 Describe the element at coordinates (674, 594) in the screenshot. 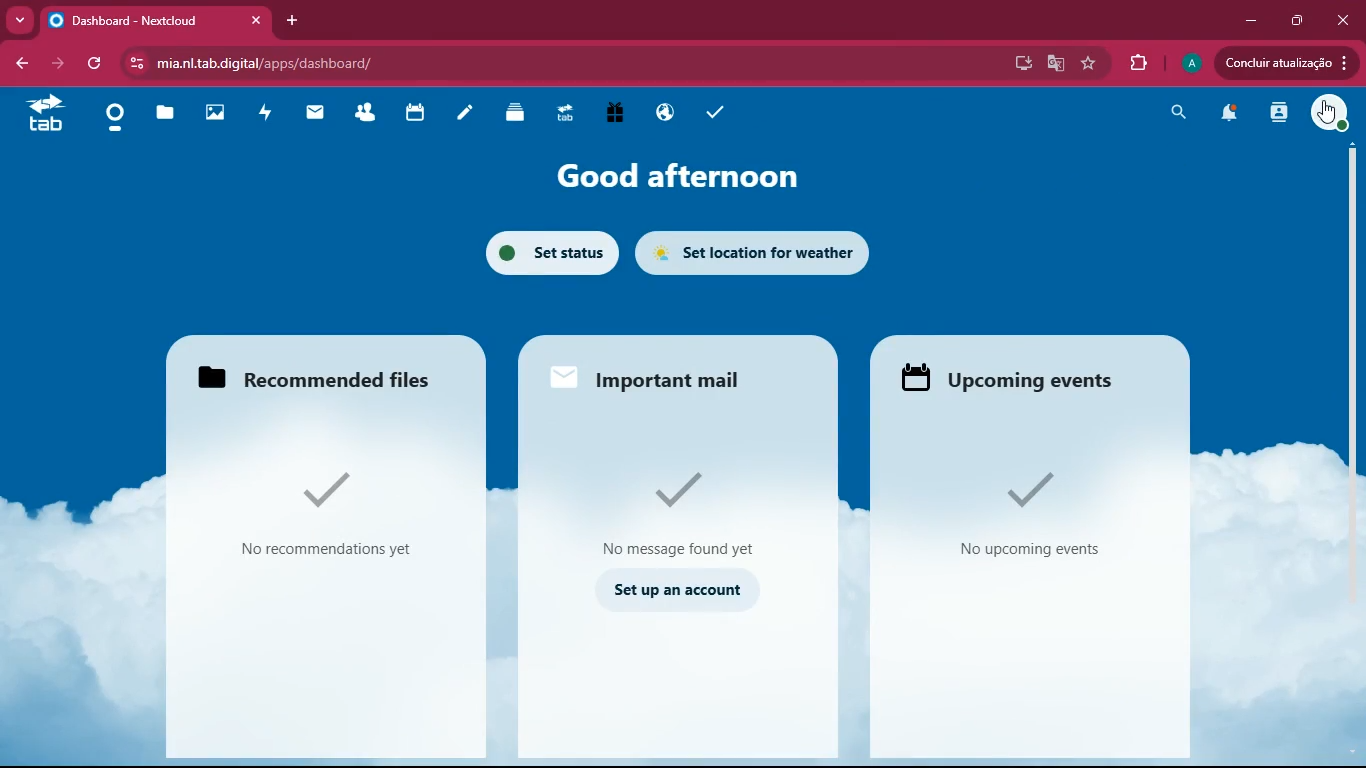

I see `set up account` at that location.